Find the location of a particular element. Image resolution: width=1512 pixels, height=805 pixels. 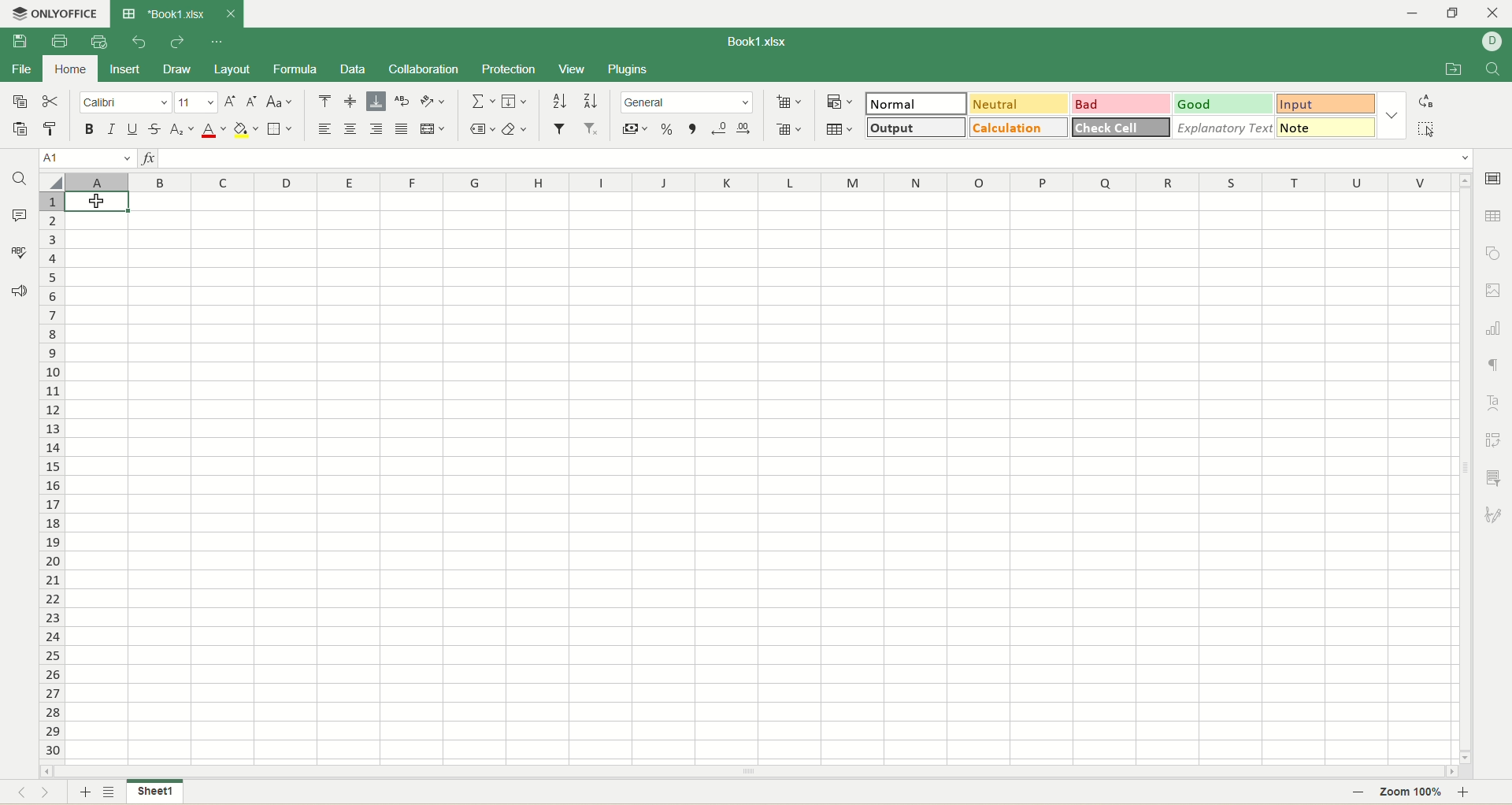

file is located at coordinates (20, 70).